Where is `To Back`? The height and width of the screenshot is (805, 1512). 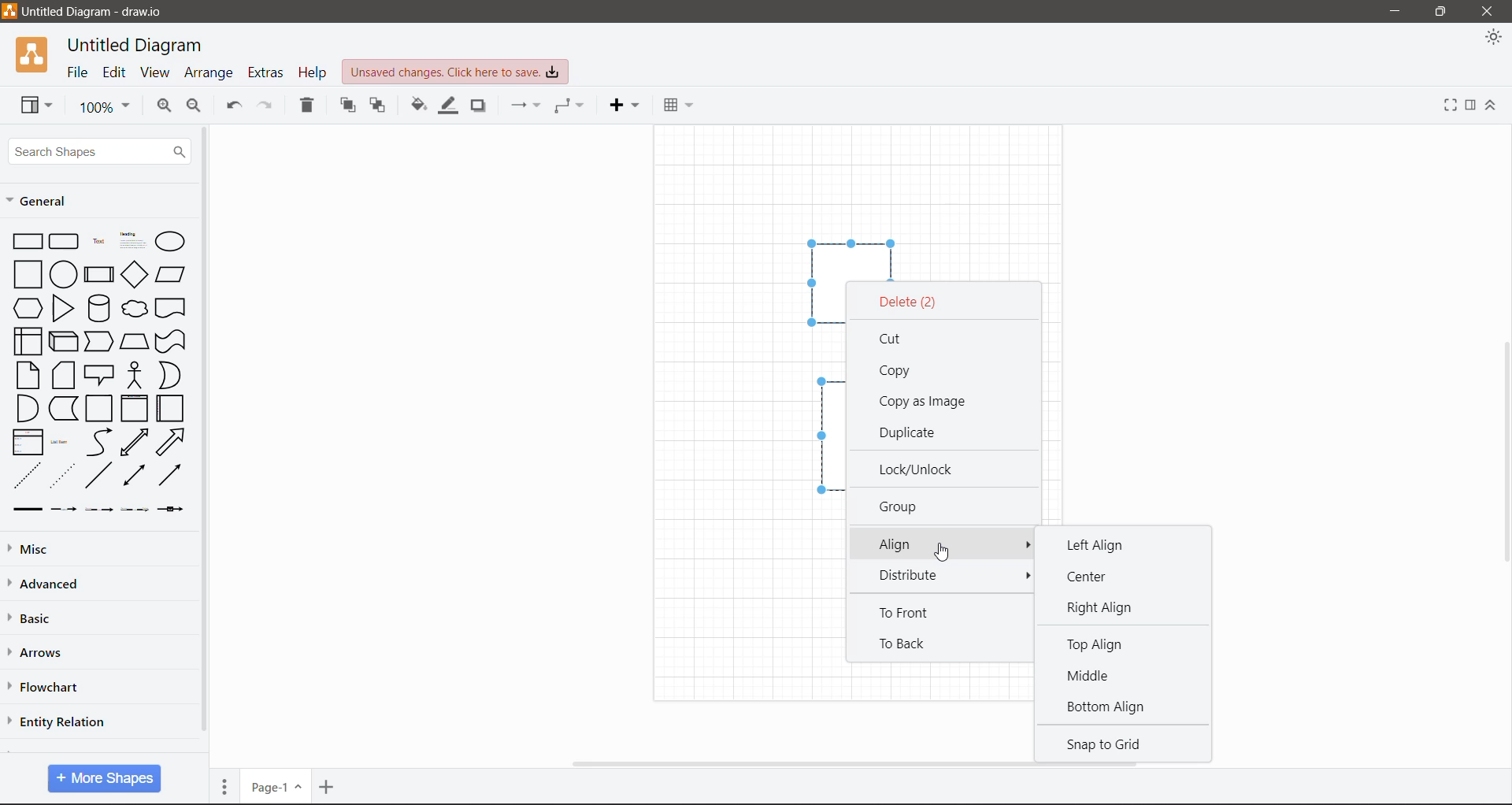
To Back is located at coordinates (904, 645).